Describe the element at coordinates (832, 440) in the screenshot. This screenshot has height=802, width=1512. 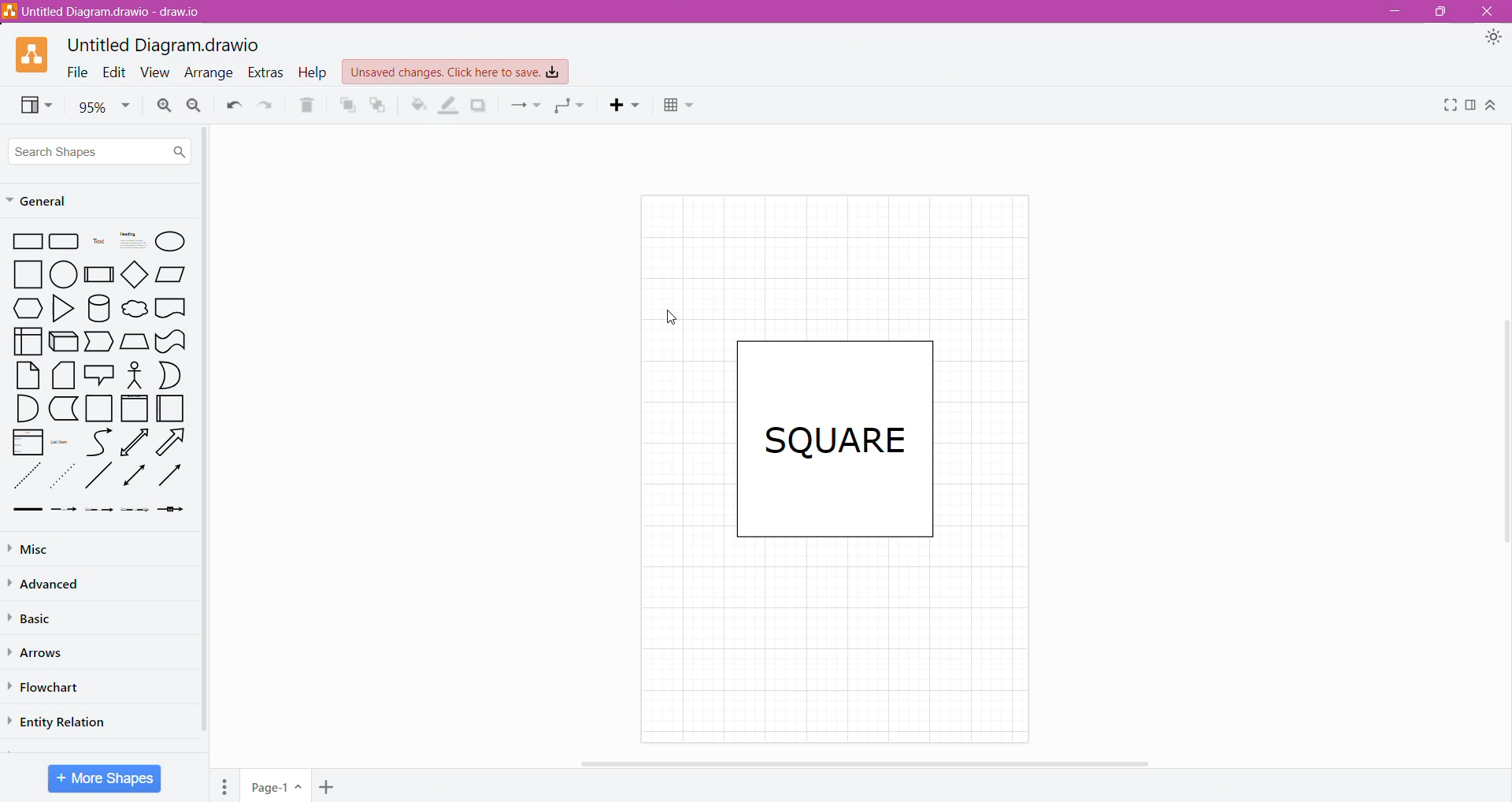
I see `Text Font Size changed` at that location.